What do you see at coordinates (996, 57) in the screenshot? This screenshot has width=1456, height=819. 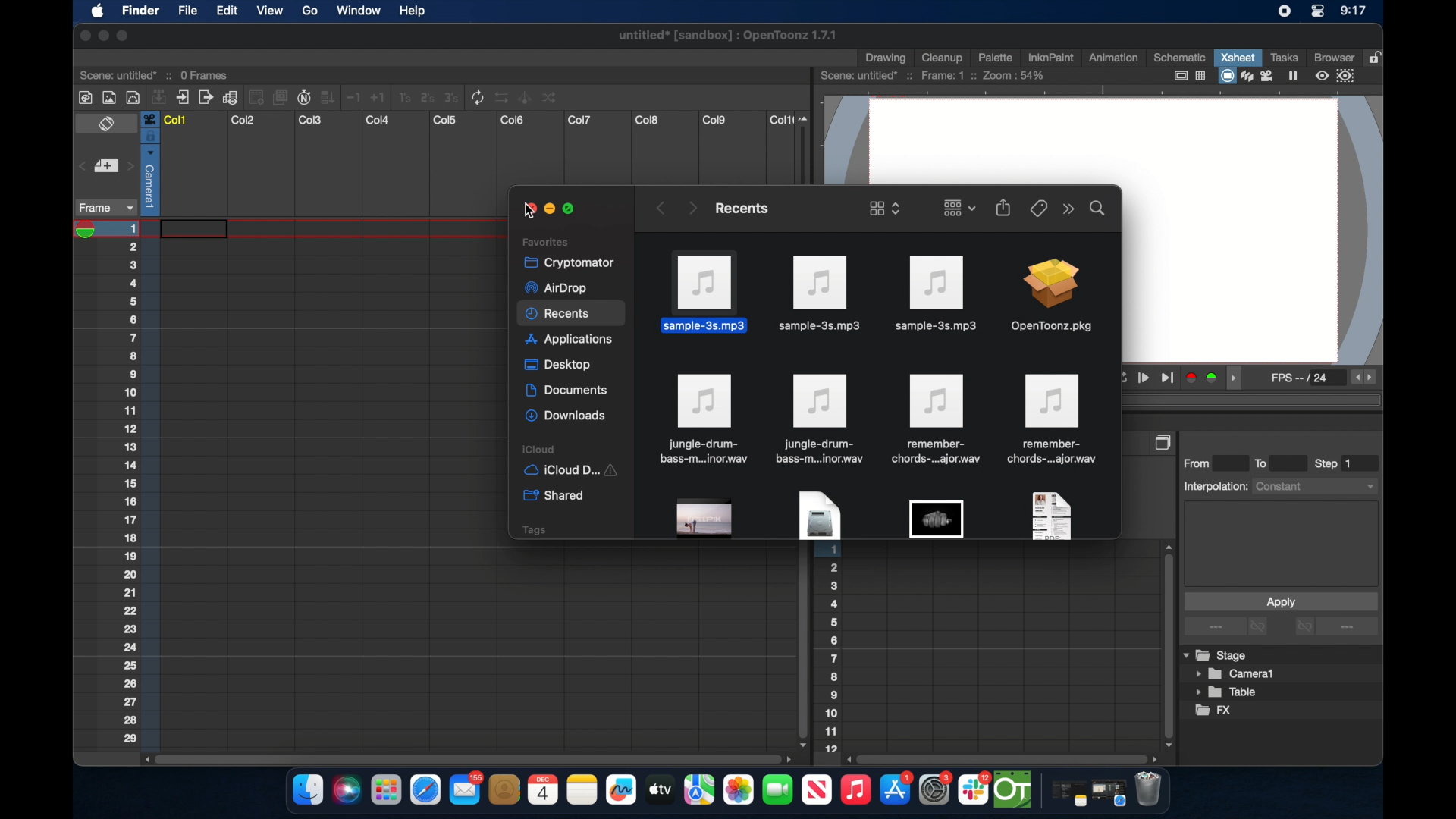 I see `palette` at bounding box center [996, 57].